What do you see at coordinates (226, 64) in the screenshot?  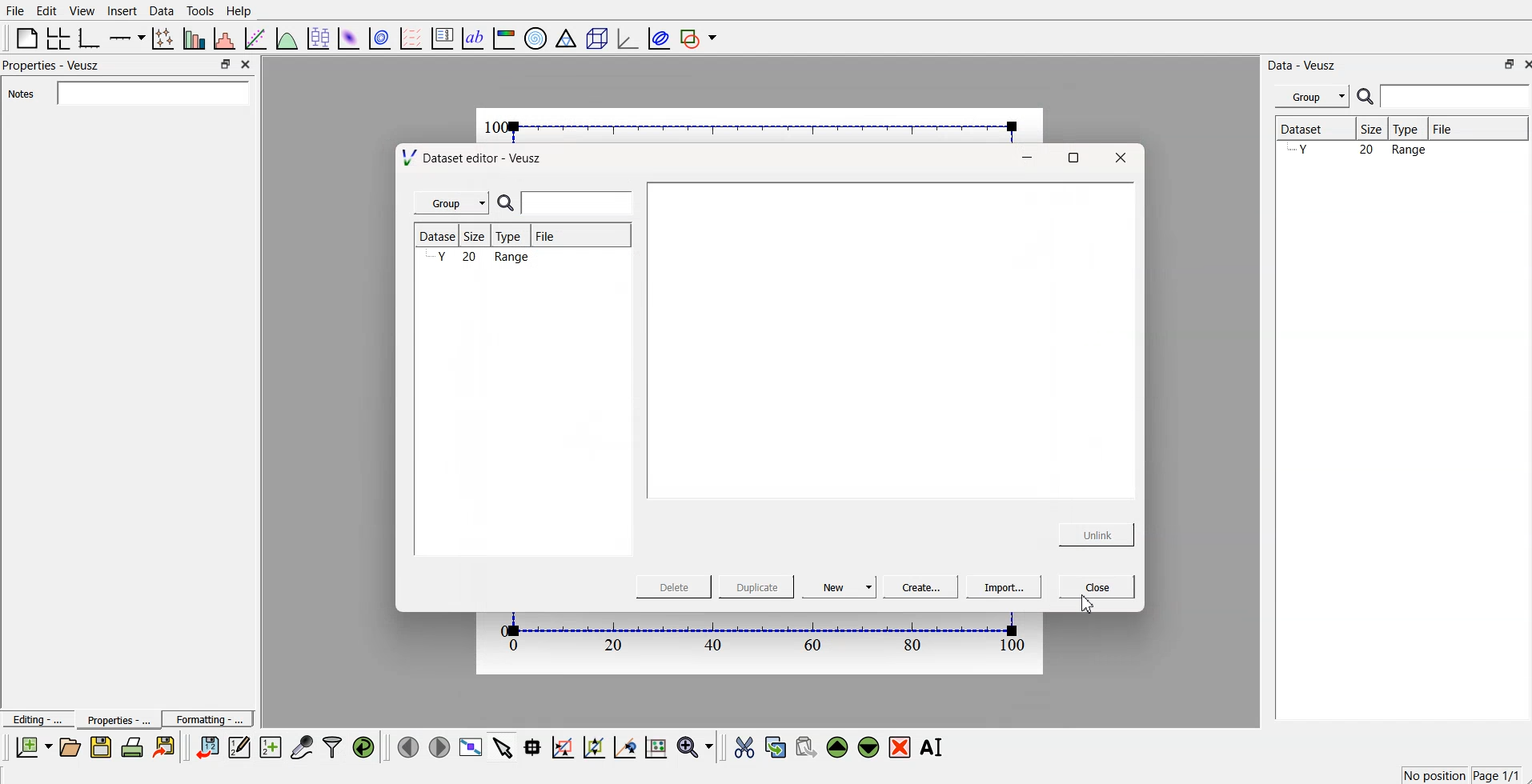 I see `Min/Max` at bounding box center [226, 64].